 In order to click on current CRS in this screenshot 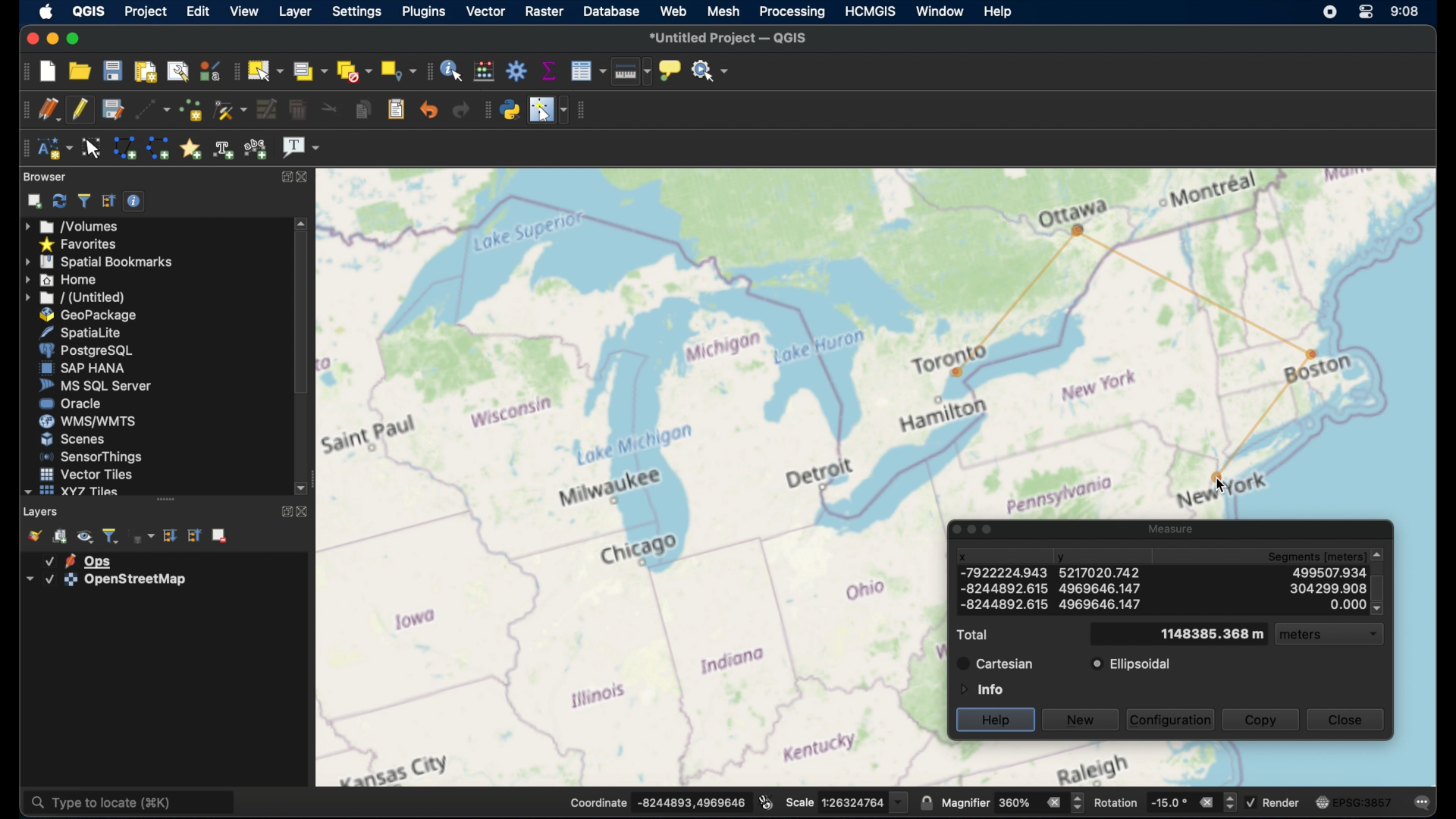, I will do `click(1354, 800)`.